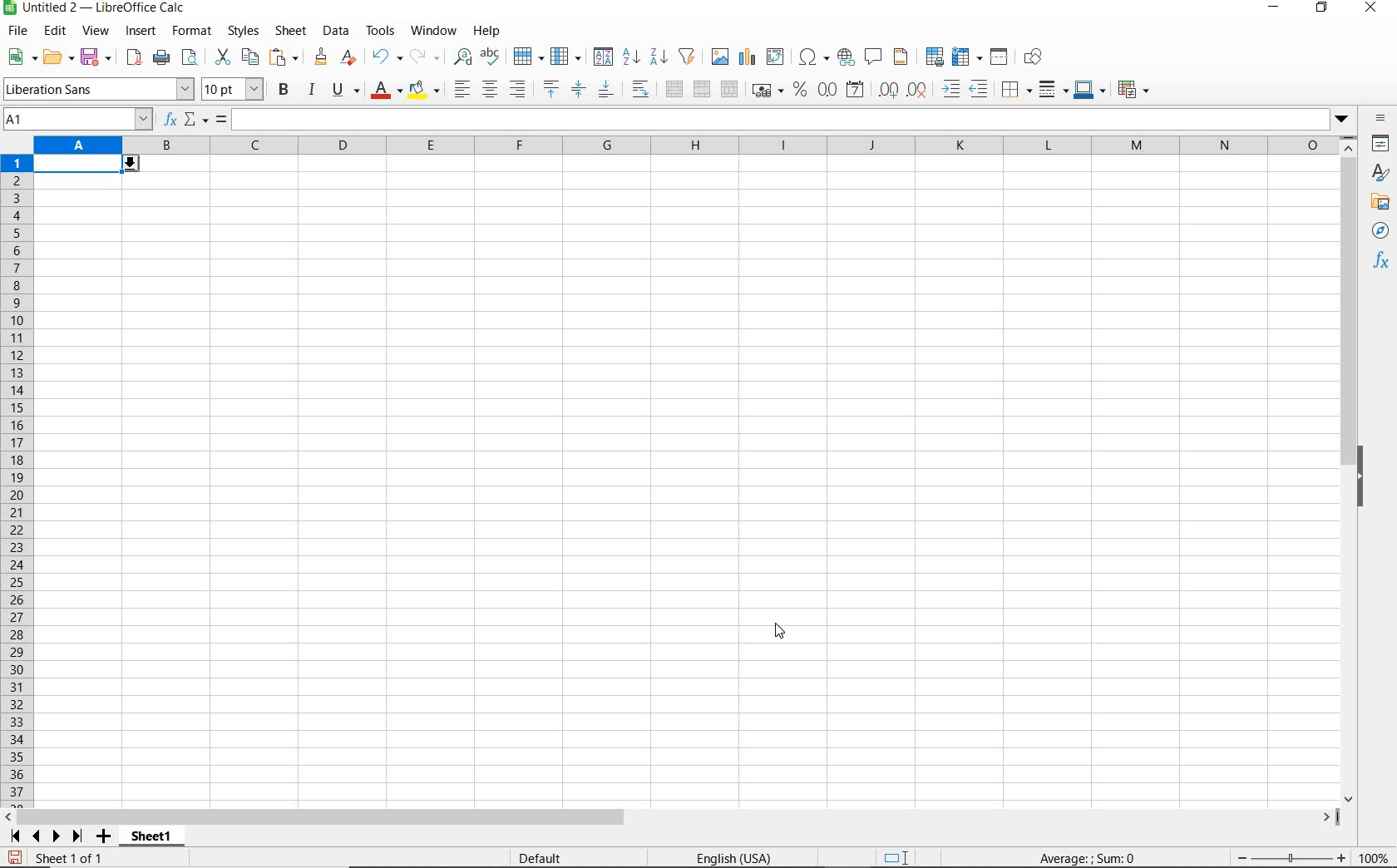  What do you see at coordinates (780, 632) in the screenshot?
I see `cursor` at bounding box center [780, 632].